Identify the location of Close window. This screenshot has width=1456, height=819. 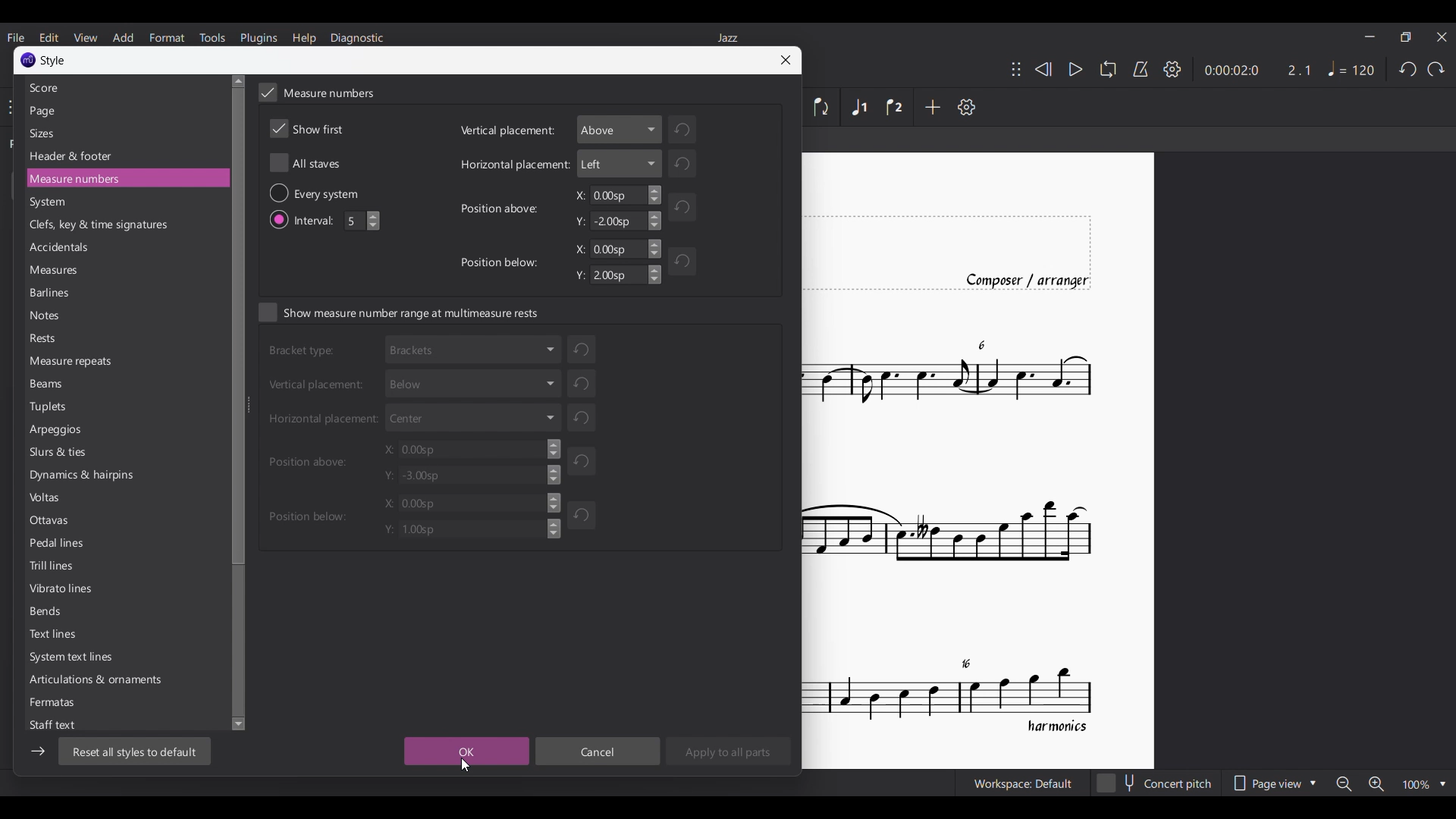
(785, 60).